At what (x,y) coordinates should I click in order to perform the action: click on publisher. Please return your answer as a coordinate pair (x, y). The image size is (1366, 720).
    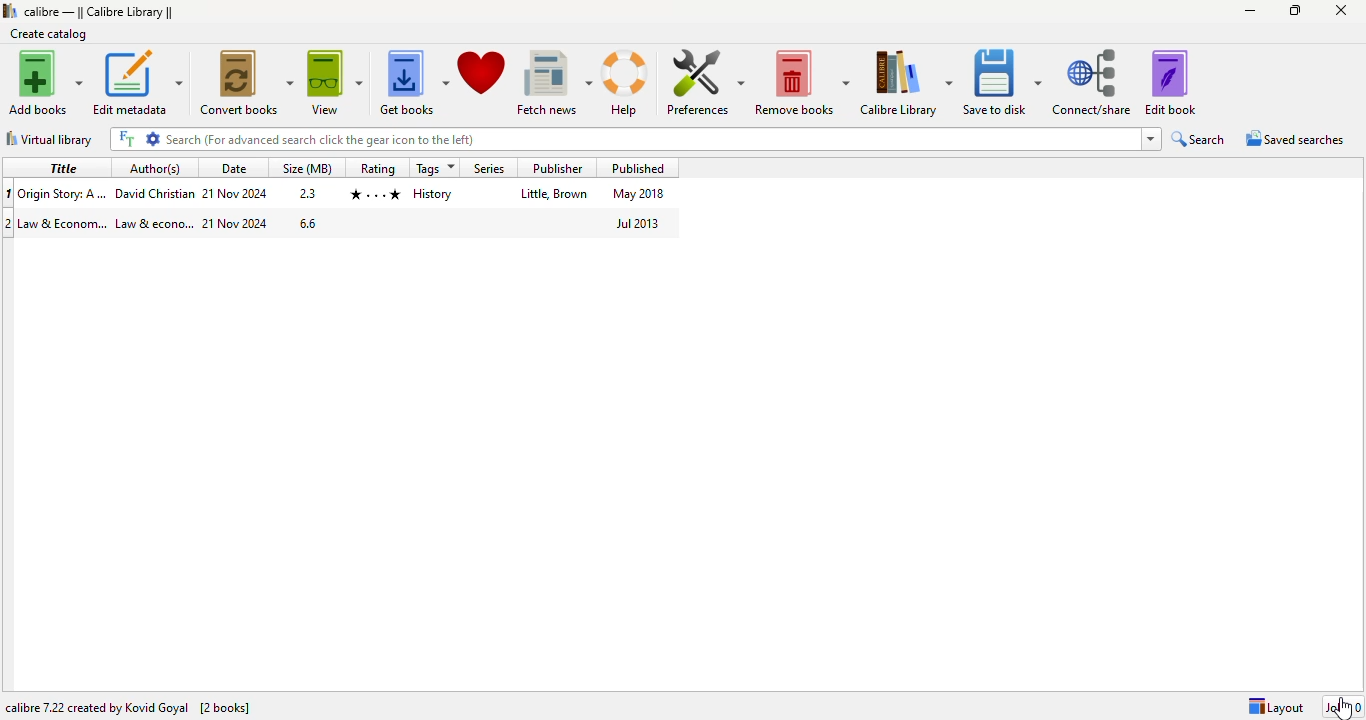
    Looking at the image, I should click on (553, 194).